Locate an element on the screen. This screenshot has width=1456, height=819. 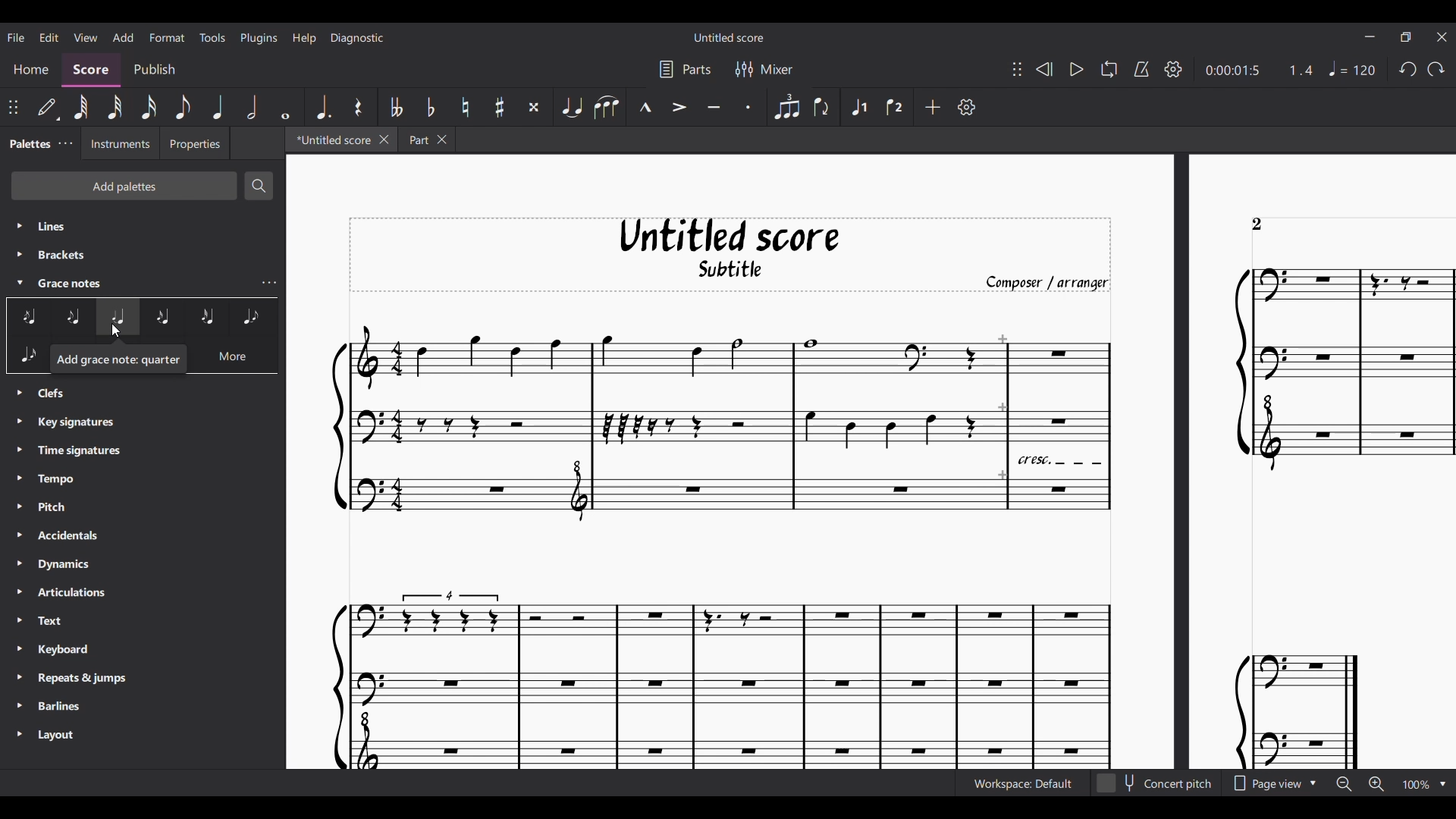
32nd note is located at coordinates (114, 108).